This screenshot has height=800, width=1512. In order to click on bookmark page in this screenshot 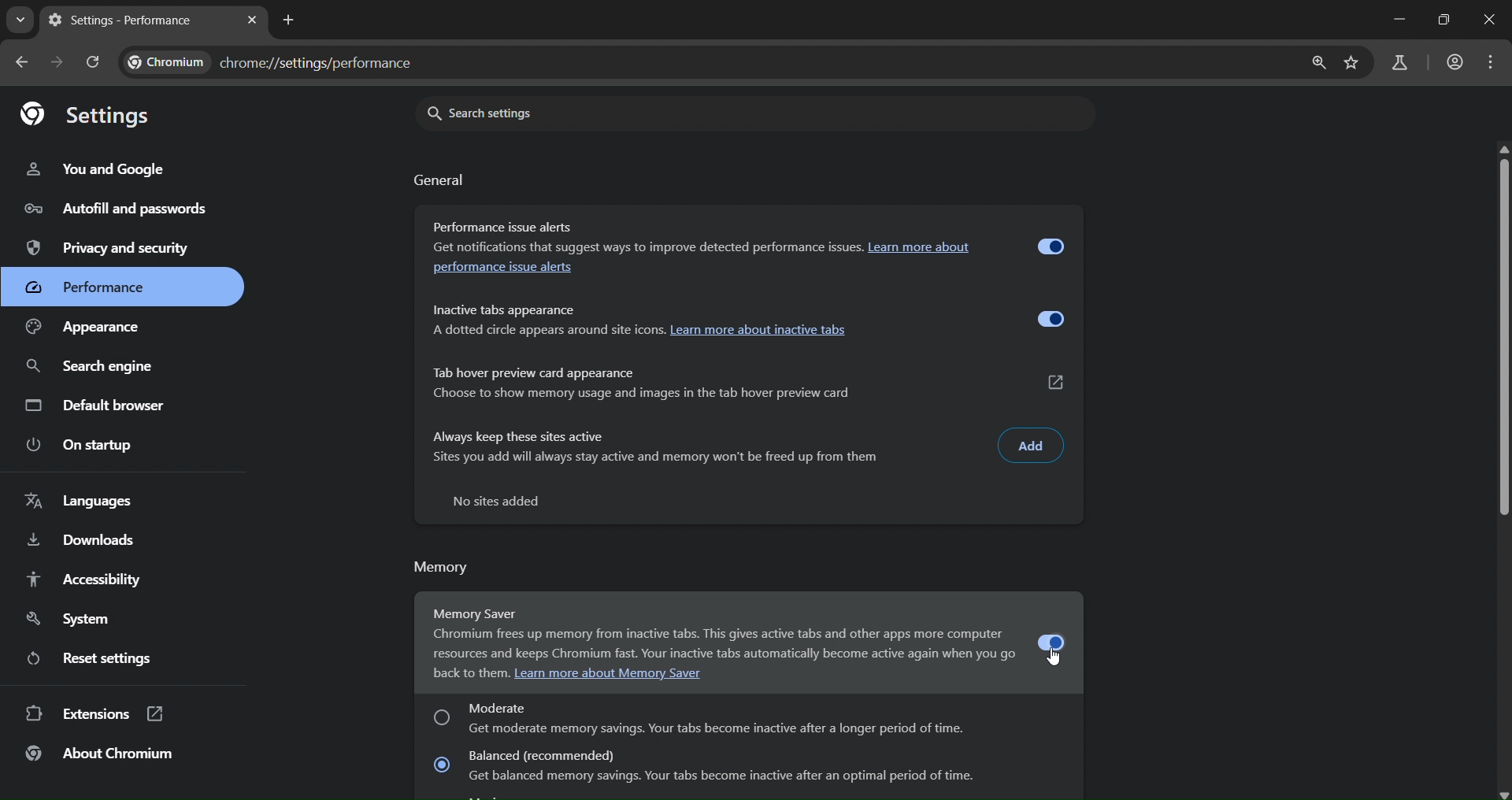, I will do `click(1352, 65)`.